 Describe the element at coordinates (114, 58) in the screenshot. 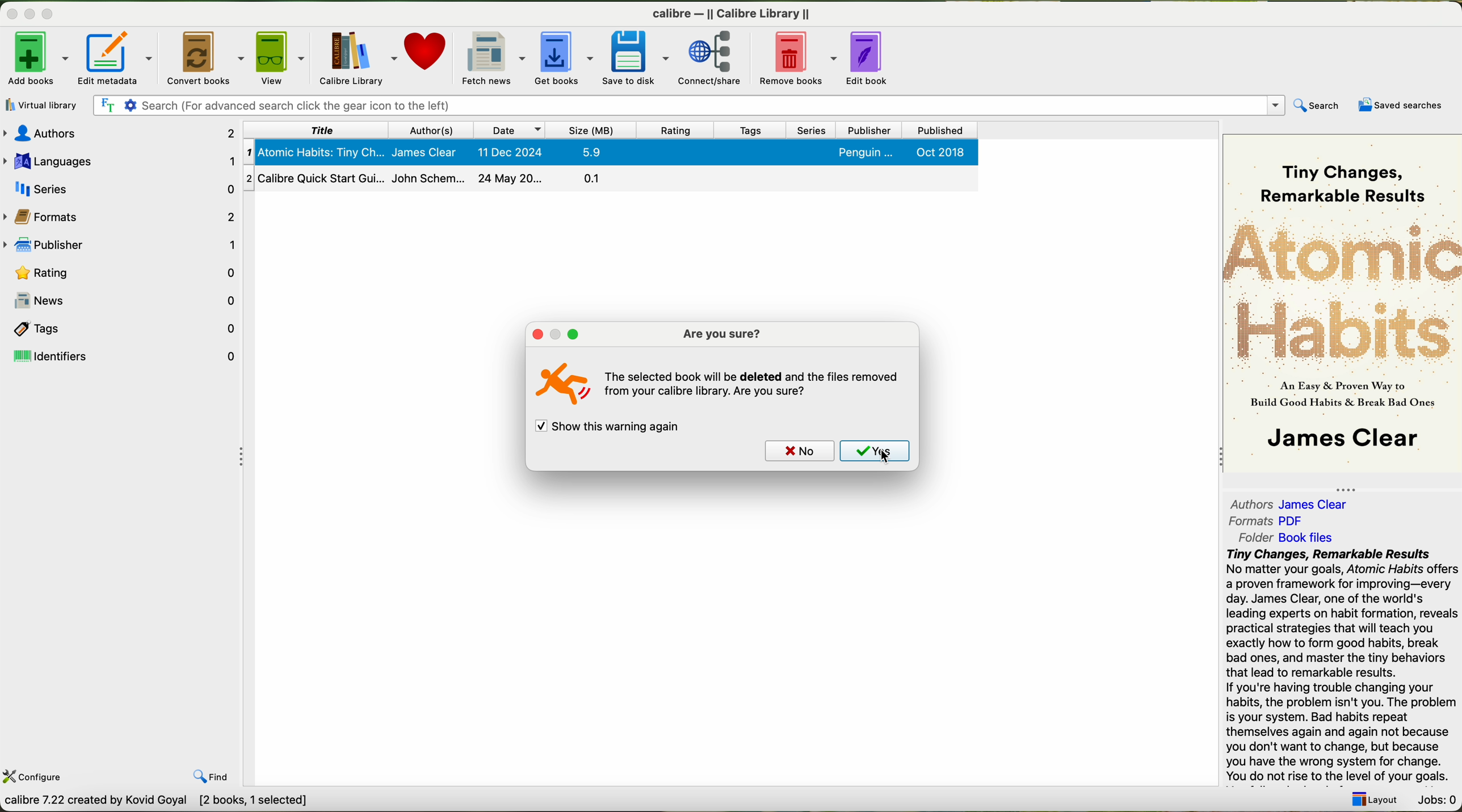

I see `edit metadata` at that location.